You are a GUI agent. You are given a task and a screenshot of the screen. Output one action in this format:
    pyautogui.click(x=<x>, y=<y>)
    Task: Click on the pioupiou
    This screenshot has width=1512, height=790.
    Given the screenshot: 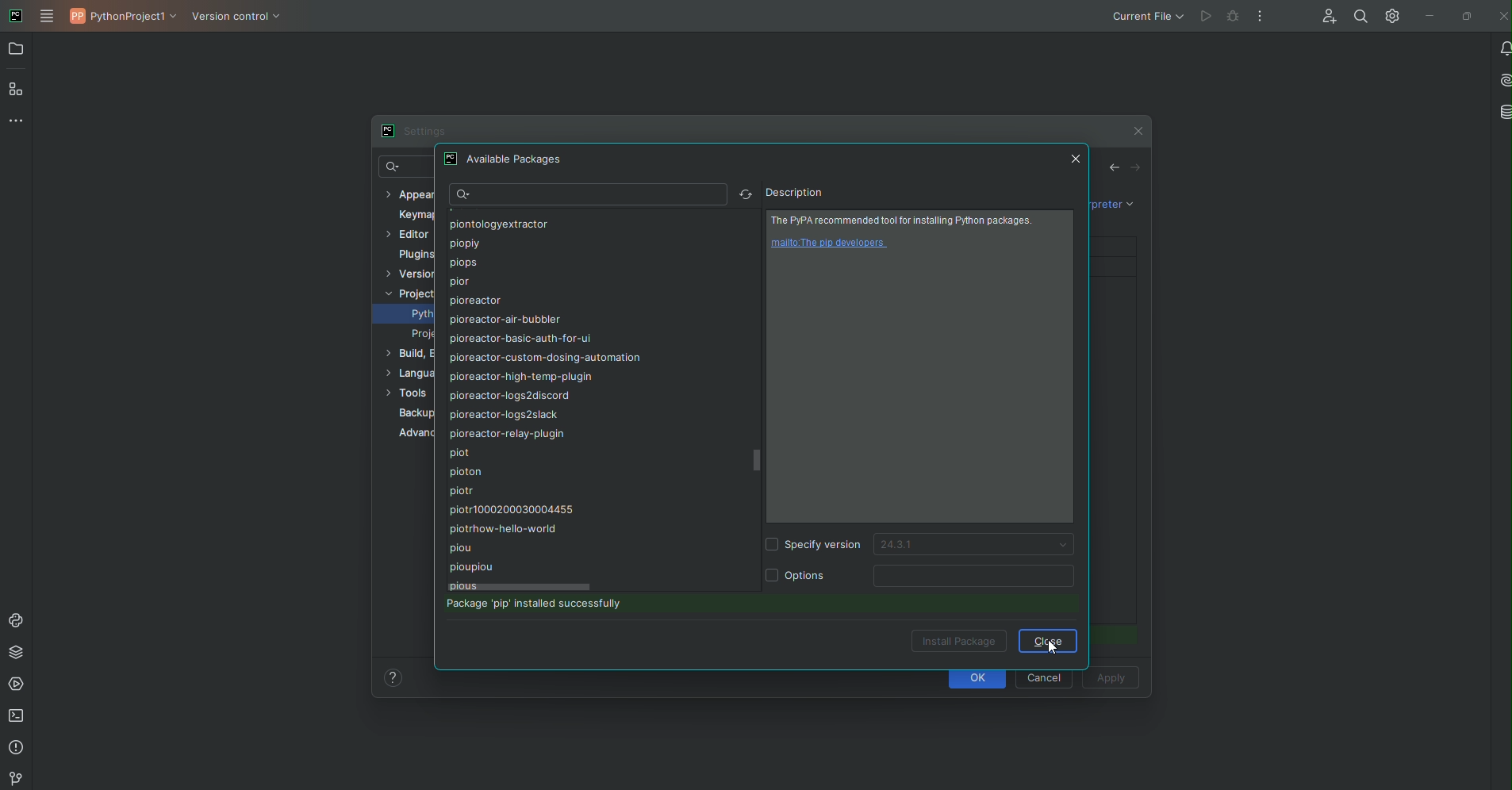 What is the action you would take?
    pyautogui.click(x=469, y=566)
    